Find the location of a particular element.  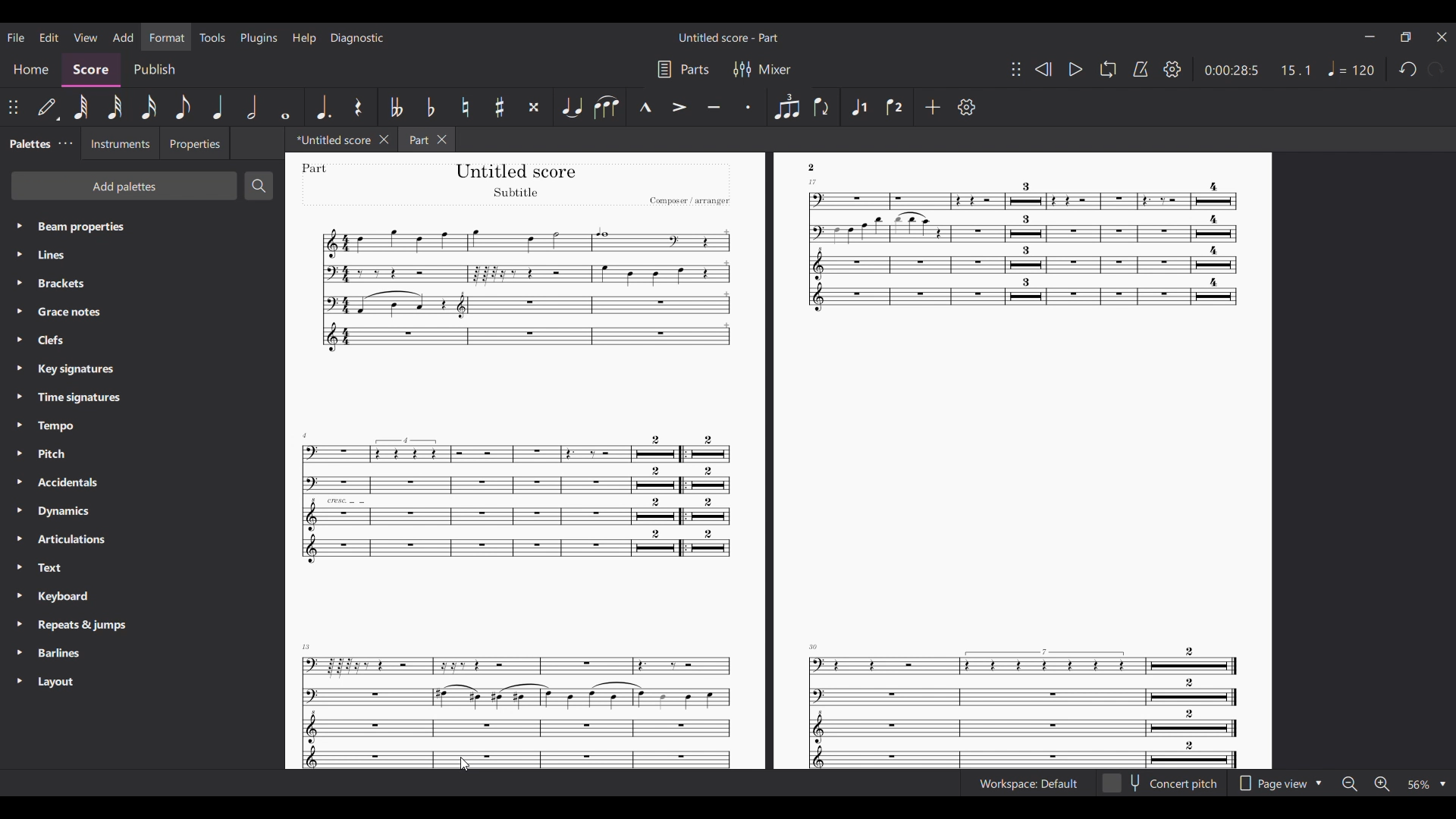

 is located at coordinates (816, 168).